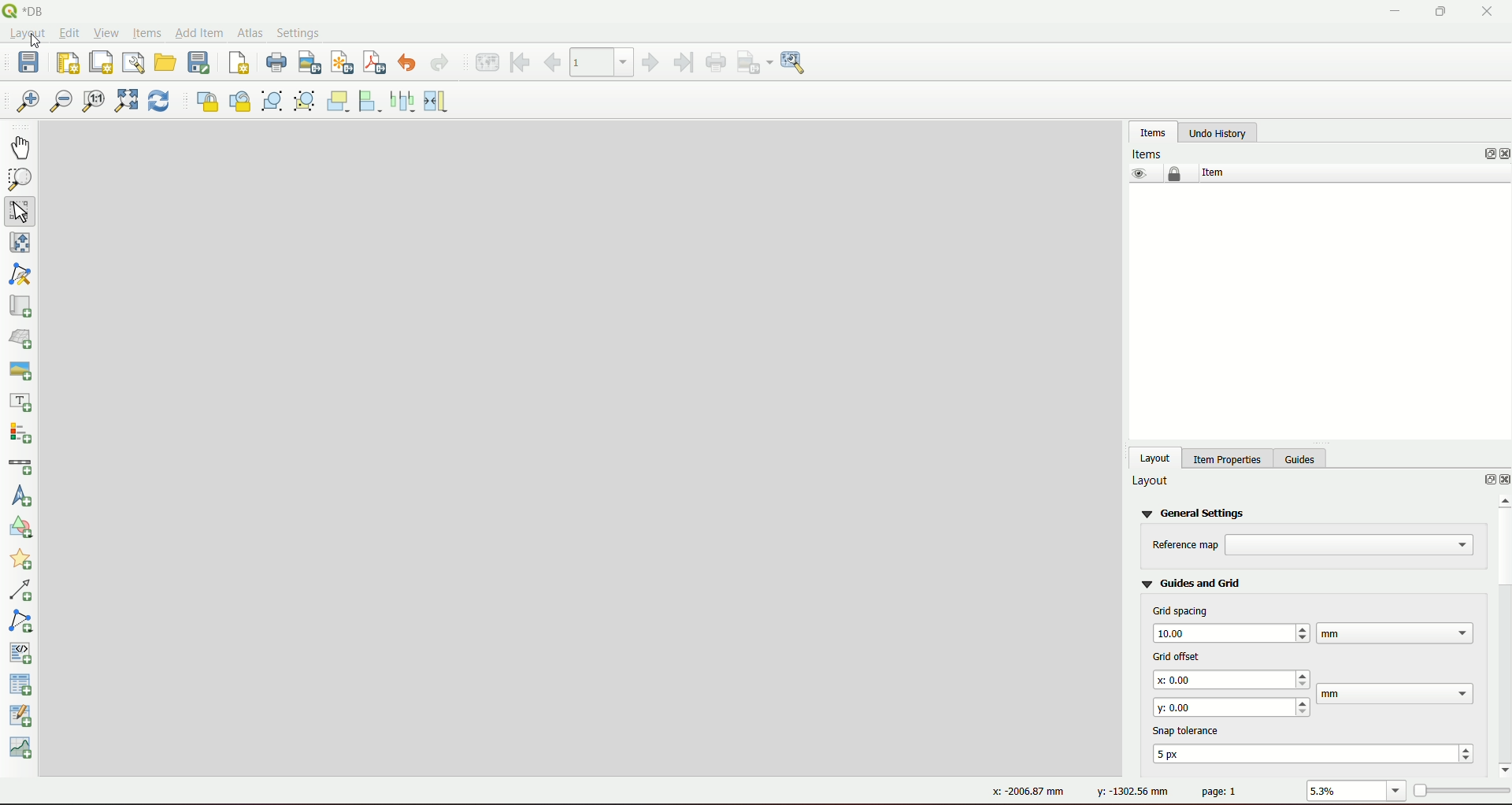 Image resolution: width=1512 pixels, height=805 pixels. What do you see at coordinates (94, 103) in the screenshot?
I see `zoom to 100%` at bounding box center [94, 103].